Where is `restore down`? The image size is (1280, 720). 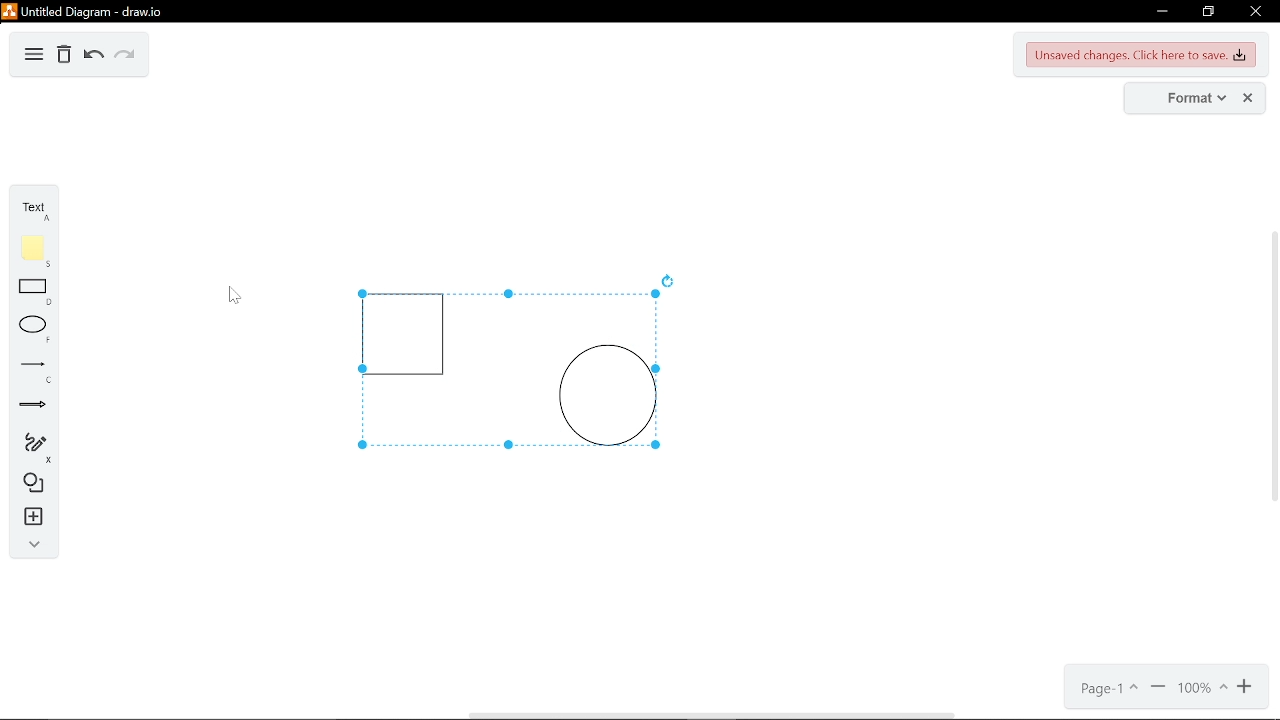 restore down is located at coordinates (1207, 13).